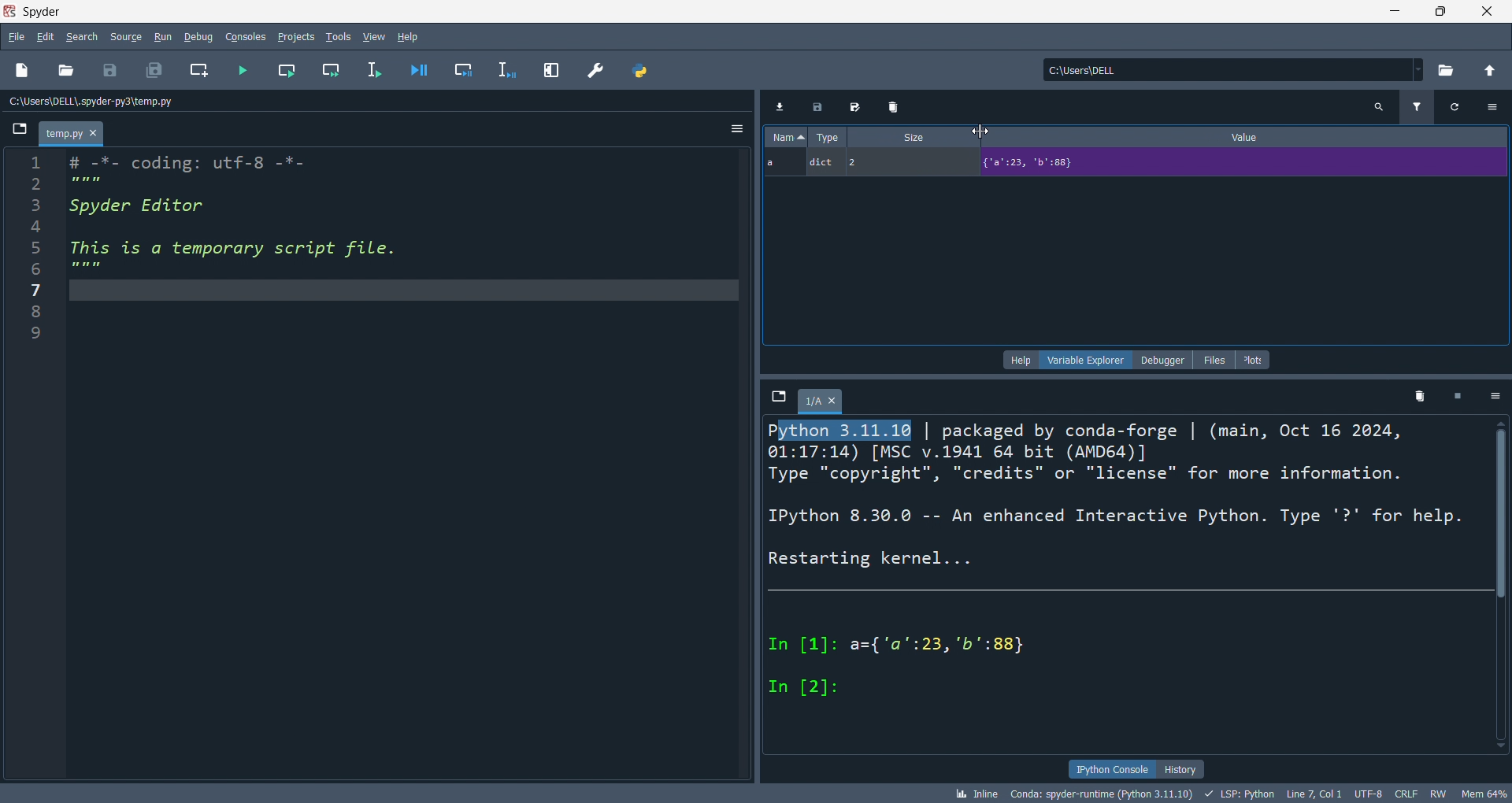 Image resolution: width=1512 pixels, height=803 pixels. What do you see at coordinates (888, 108) in the screenshot?
I see `delete data` at bounding box center [888, 108].